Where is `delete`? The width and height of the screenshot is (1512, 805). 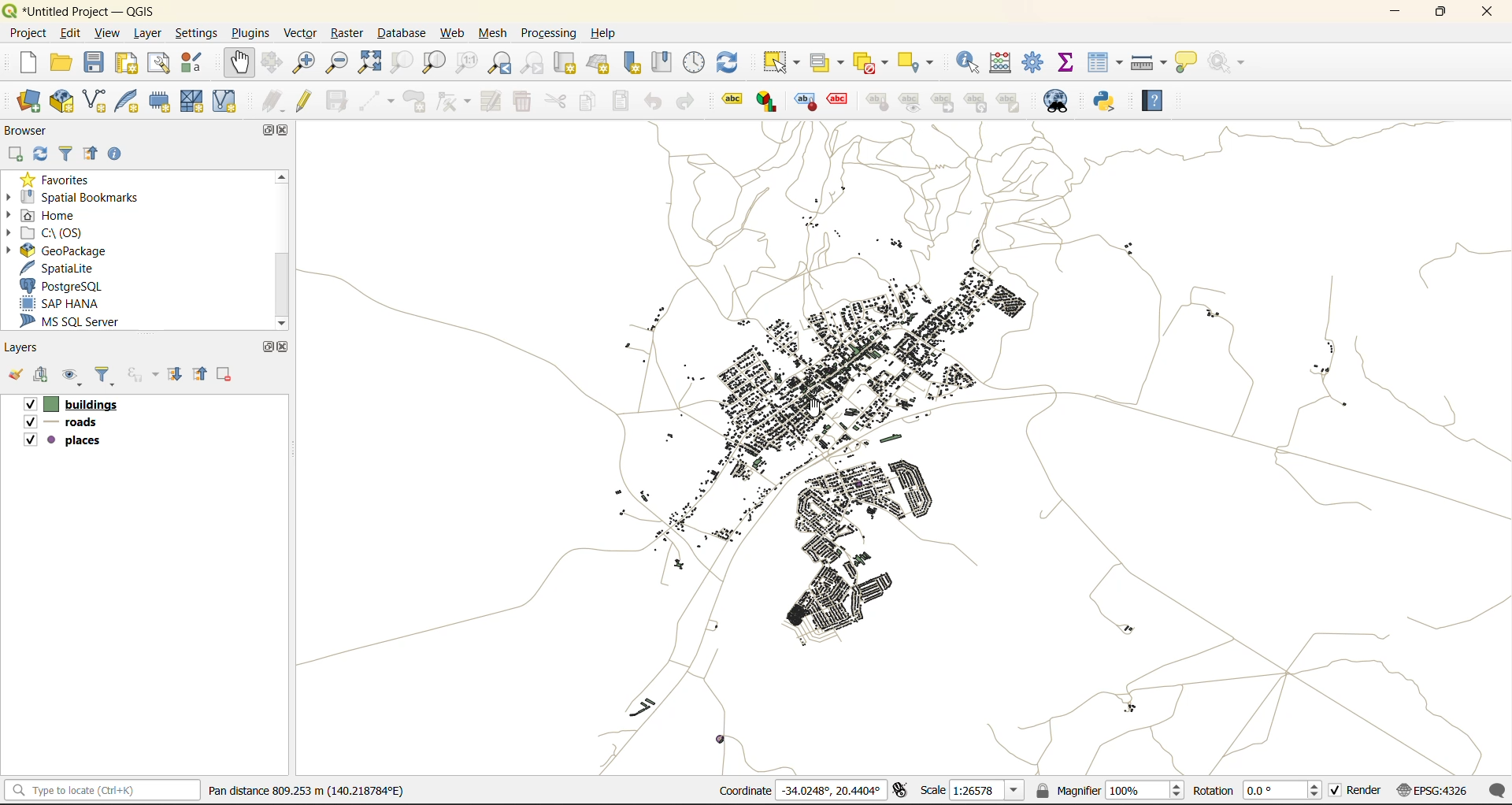
delete is located at coordinates (521, 102).